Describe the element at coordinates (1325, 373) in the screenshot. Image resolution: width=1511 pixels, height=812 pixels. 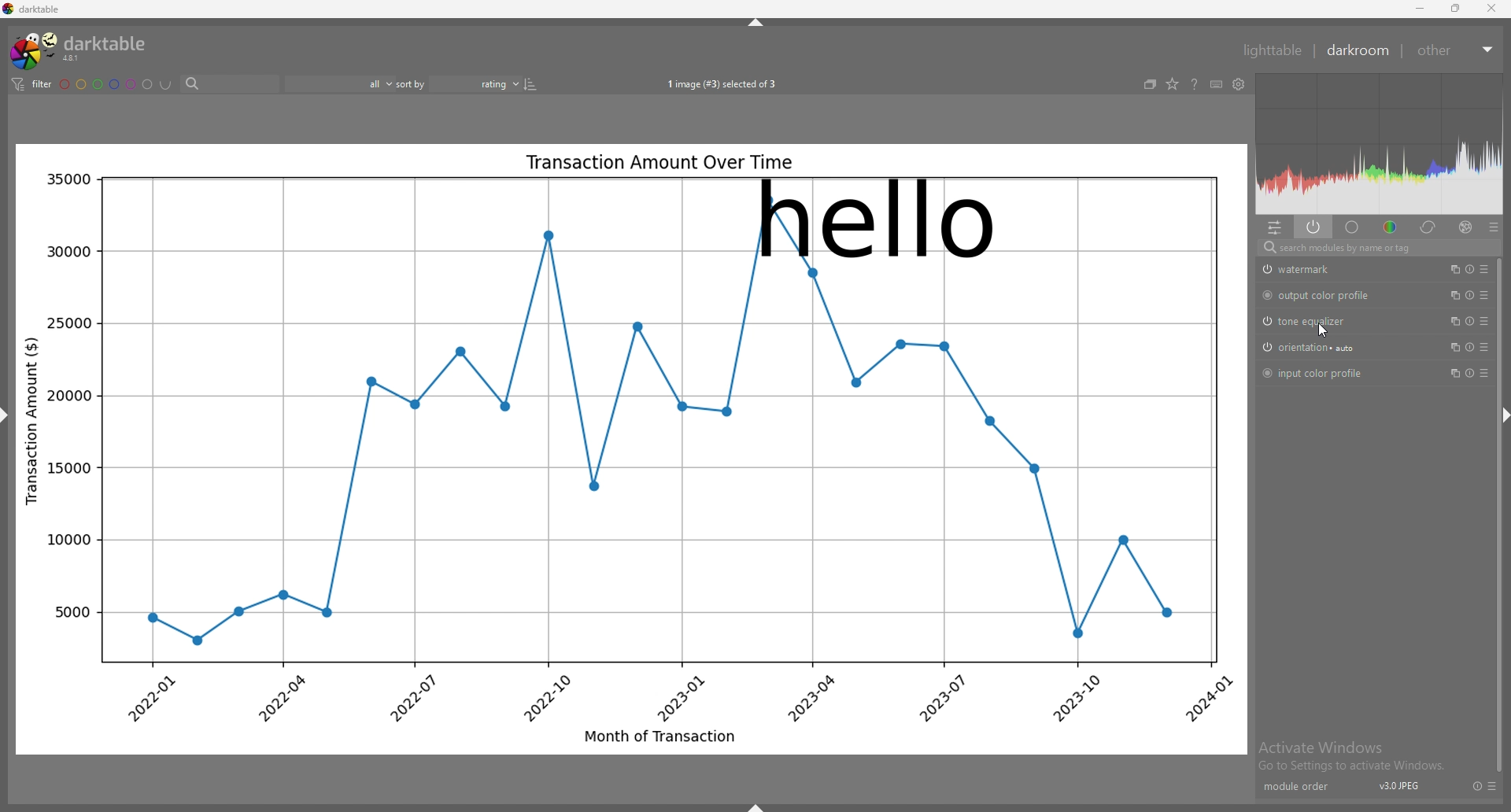
I see `input color profile` at that location.